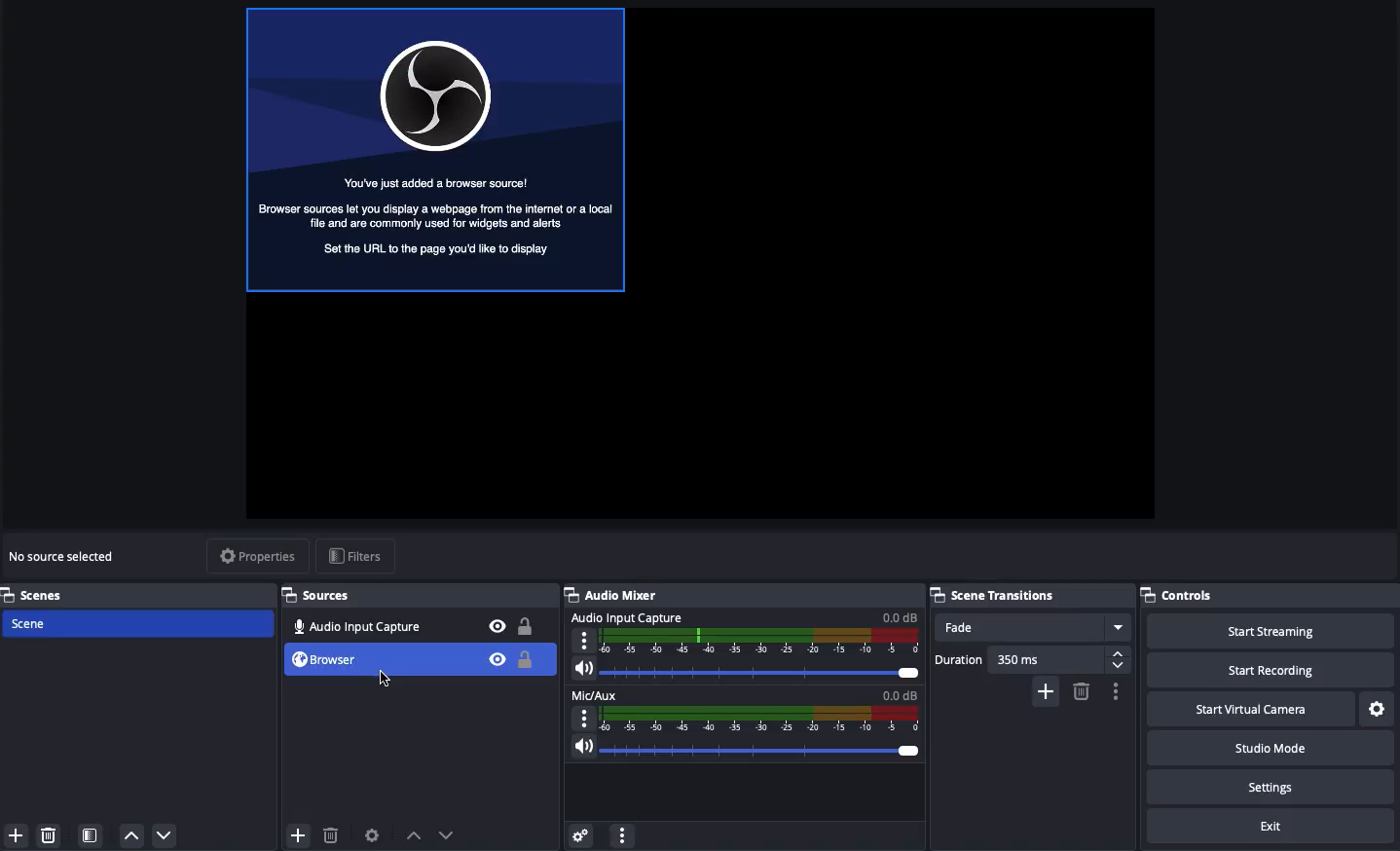 This screenshot has width=1400, height=851. Describe the element at coordinates (15, 837) in the screenshot. I see `Add` at that location.